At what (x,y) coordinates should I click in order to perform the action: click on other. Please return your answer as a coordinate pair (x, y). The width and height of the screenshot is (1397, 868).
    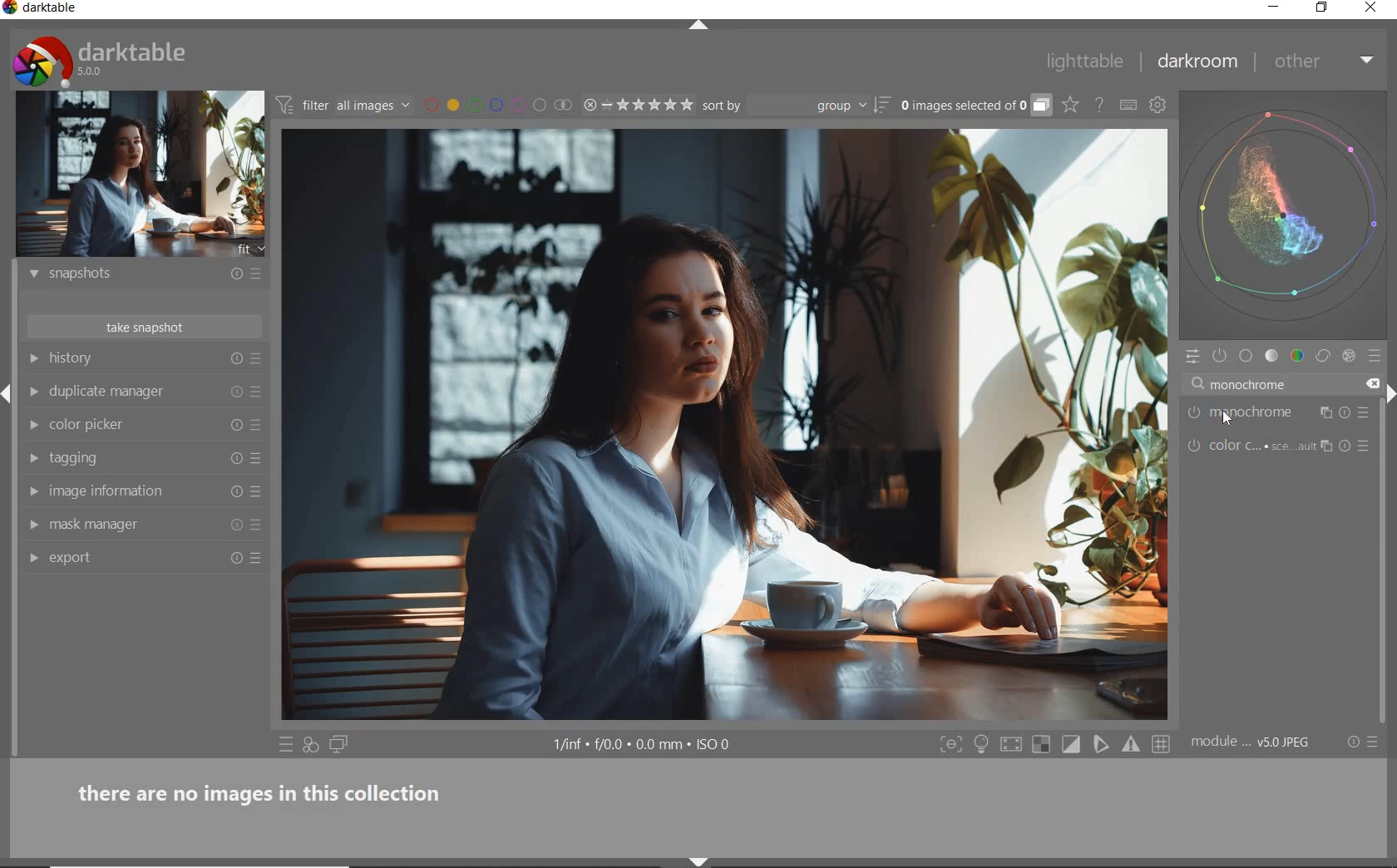
    Looking at the image, I should click on (1326, 61).